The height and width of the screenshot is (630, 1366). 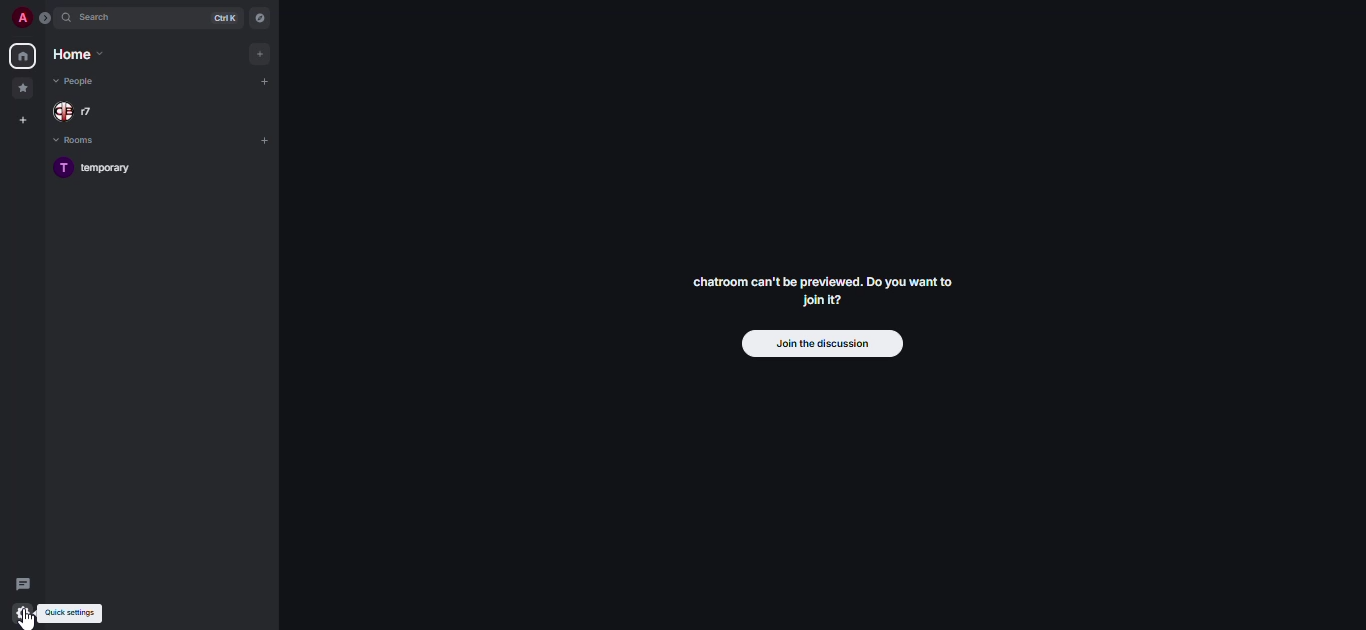 What do you see at coordinates (98, 169) in the screenshot?
I see `room` at bounding box center [98, 169].